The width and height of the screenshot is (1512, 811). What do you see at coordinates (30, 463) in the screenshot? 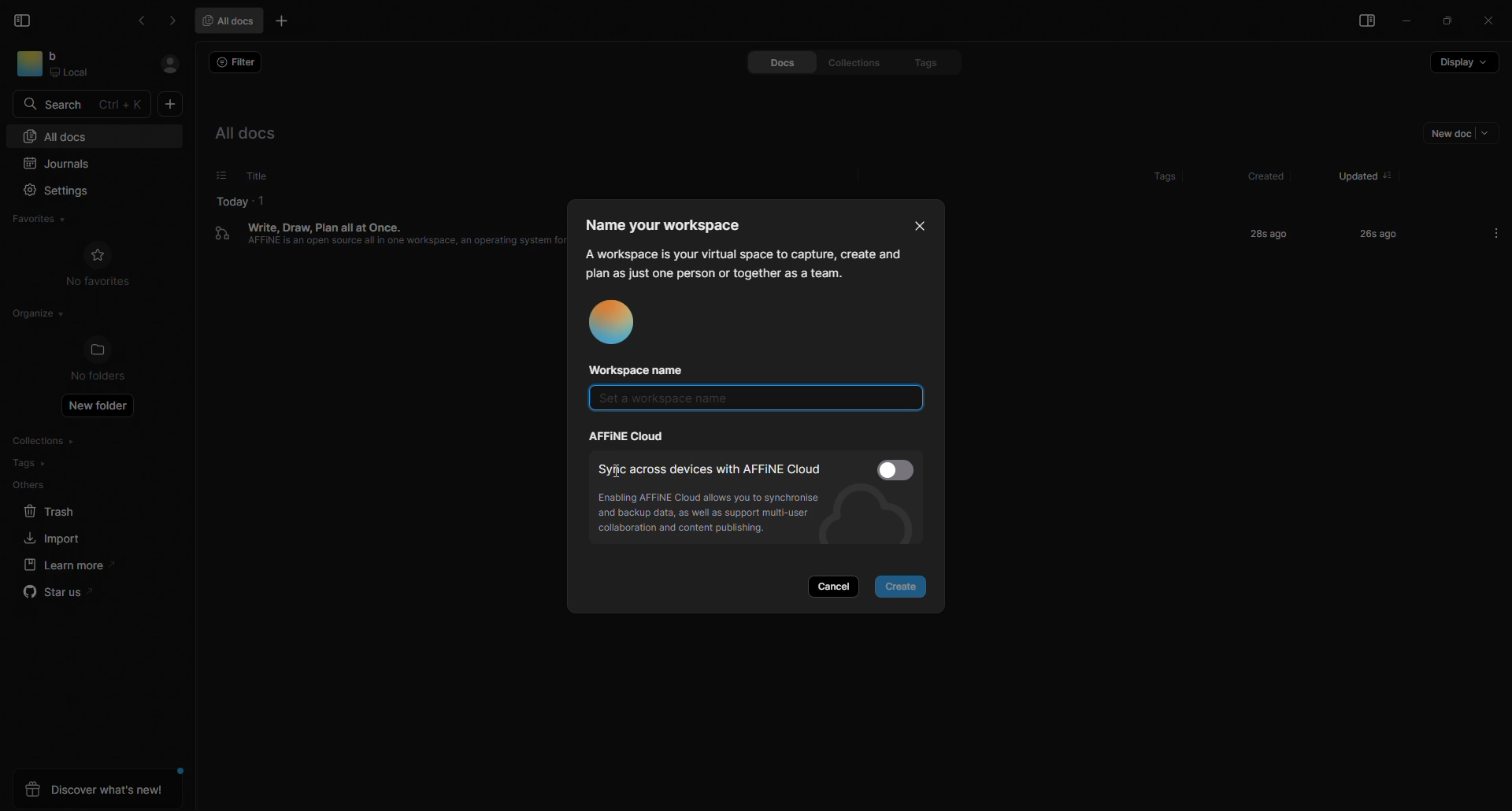
I see `tags` at bounding box center [30, 463].